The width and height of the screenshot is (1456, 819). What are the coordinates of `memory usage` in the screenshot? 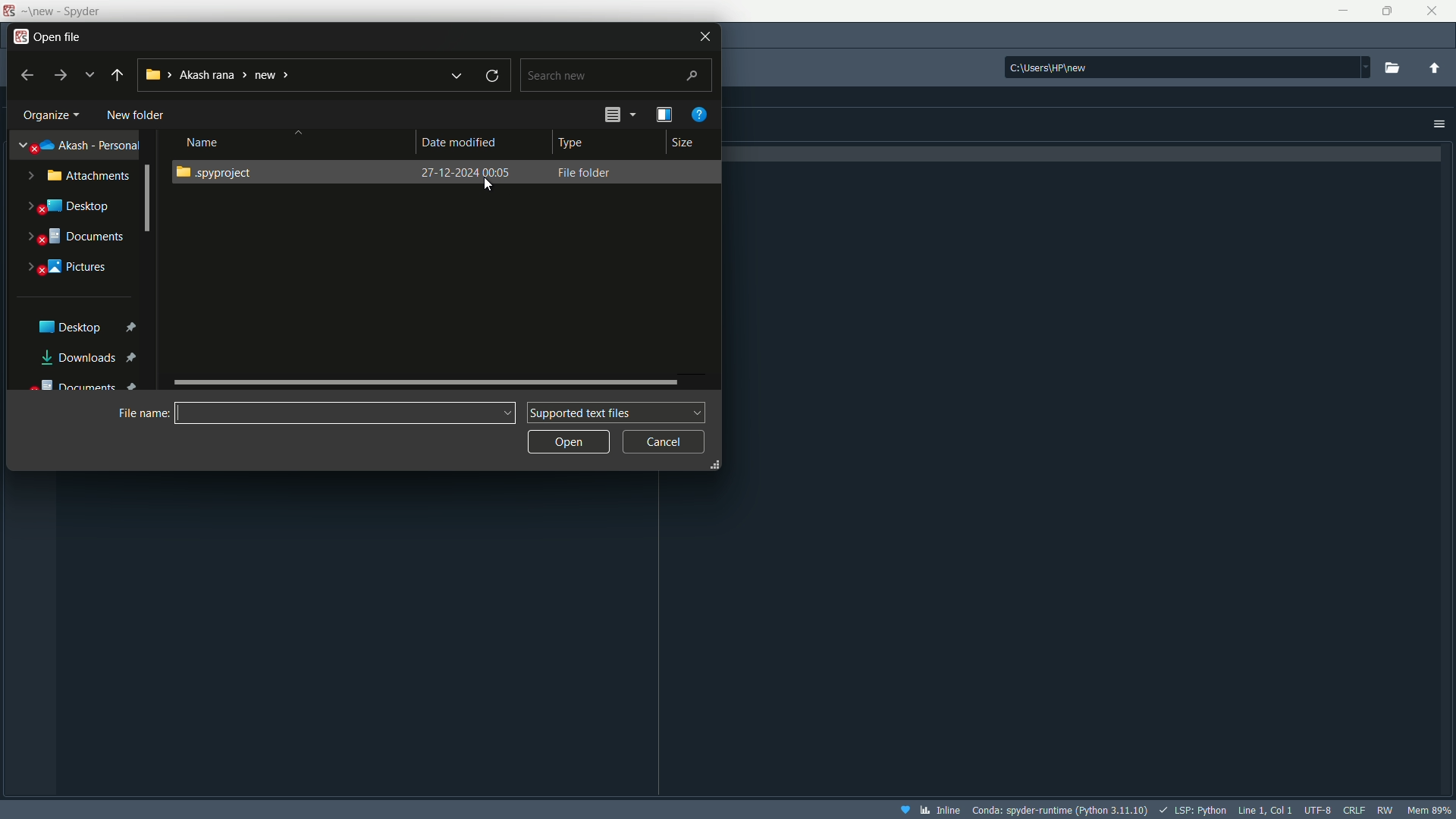 It's located at (1429, 811).